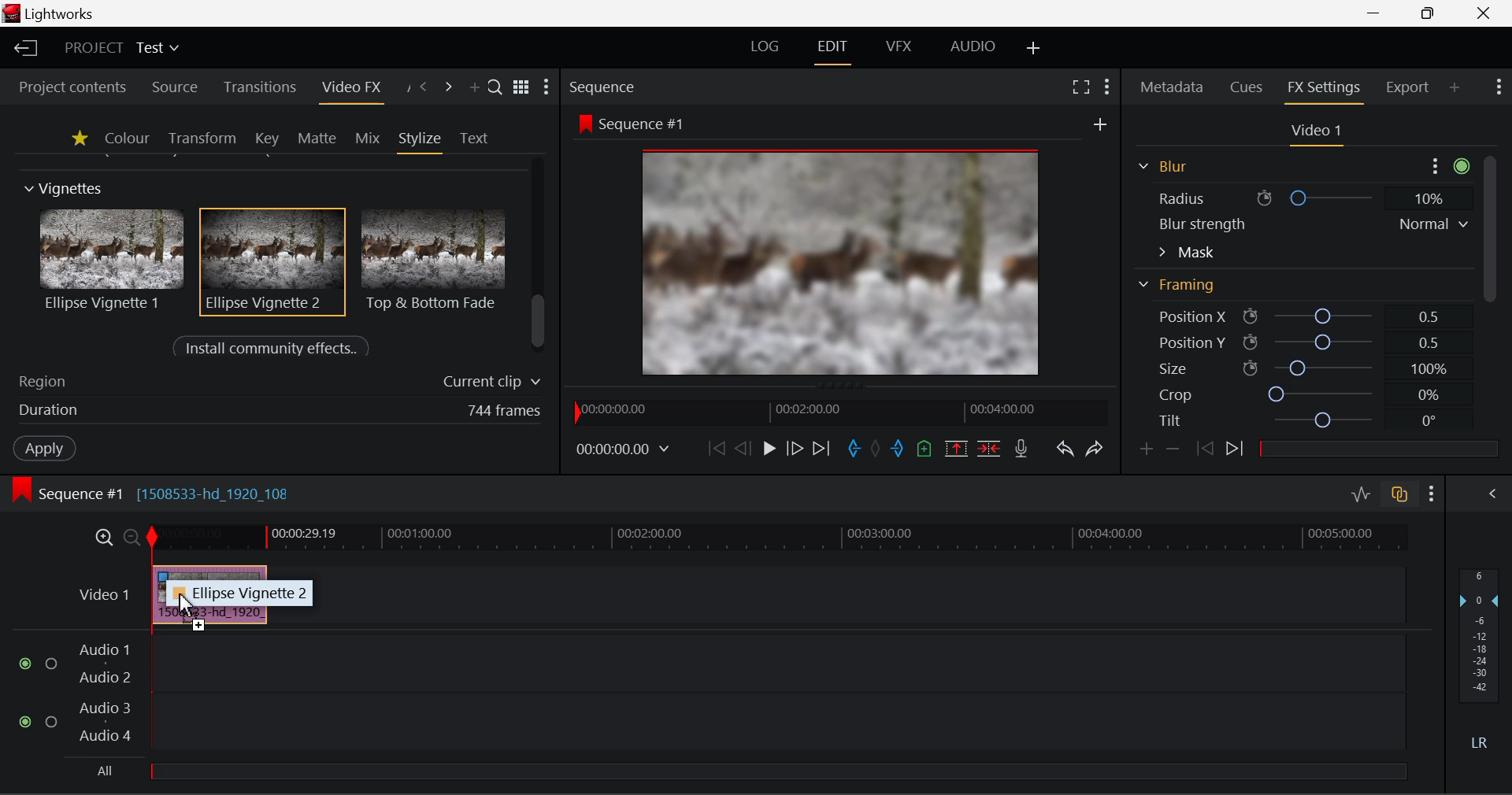 The image size is (1512, 795). What do you see at coordinates (898, 445) in the screenshot?
I see `Mark Out` at bounding box center [898, 445].